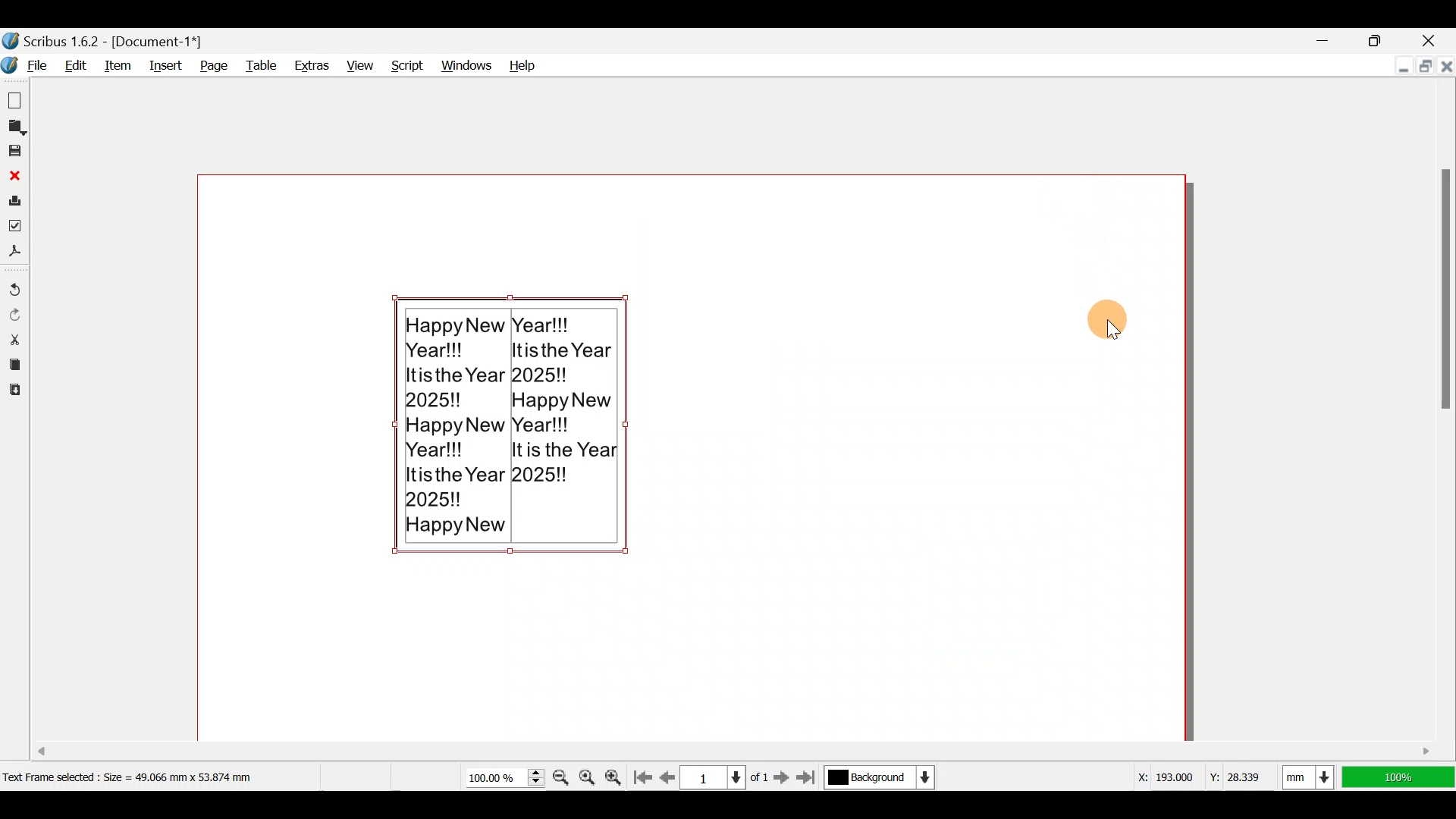  What do you see at coordinates (168, 66) in the screenshot?
I see `Insert` at bounding box center [168, 66].